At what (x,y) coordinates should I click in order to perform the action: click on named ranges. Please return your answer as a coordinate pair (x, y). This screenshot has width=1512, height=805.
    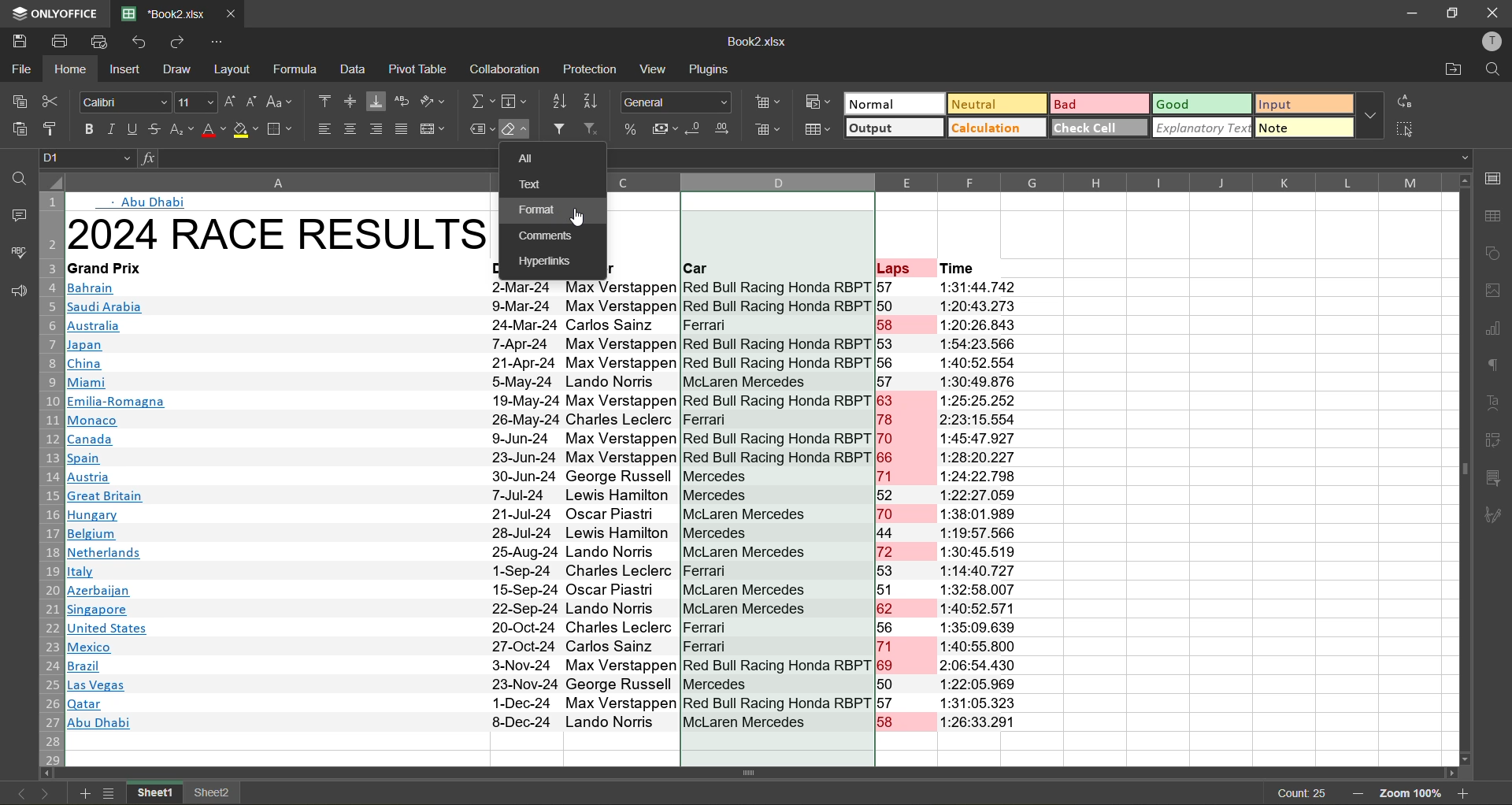
    Looking at the image, I should click on (480, 127).